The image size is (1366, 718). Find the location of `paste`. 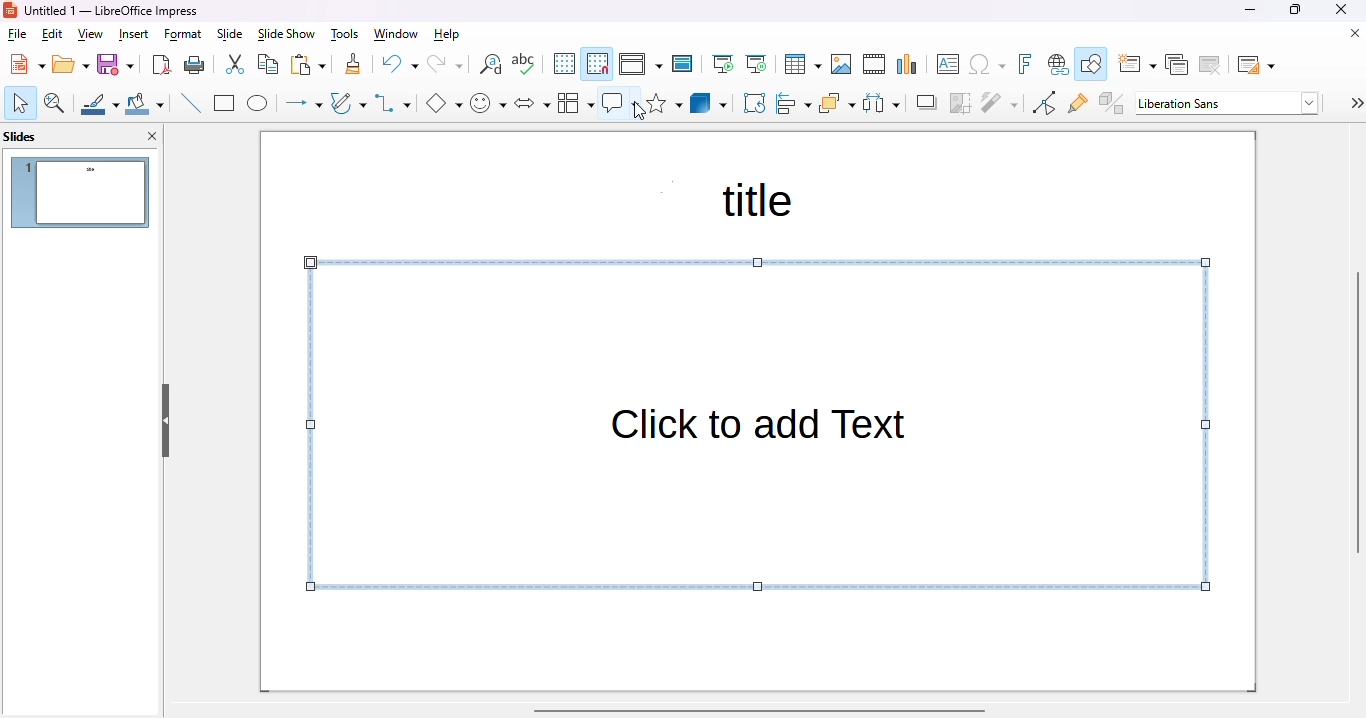

paste is located at coordinates (308, 65).